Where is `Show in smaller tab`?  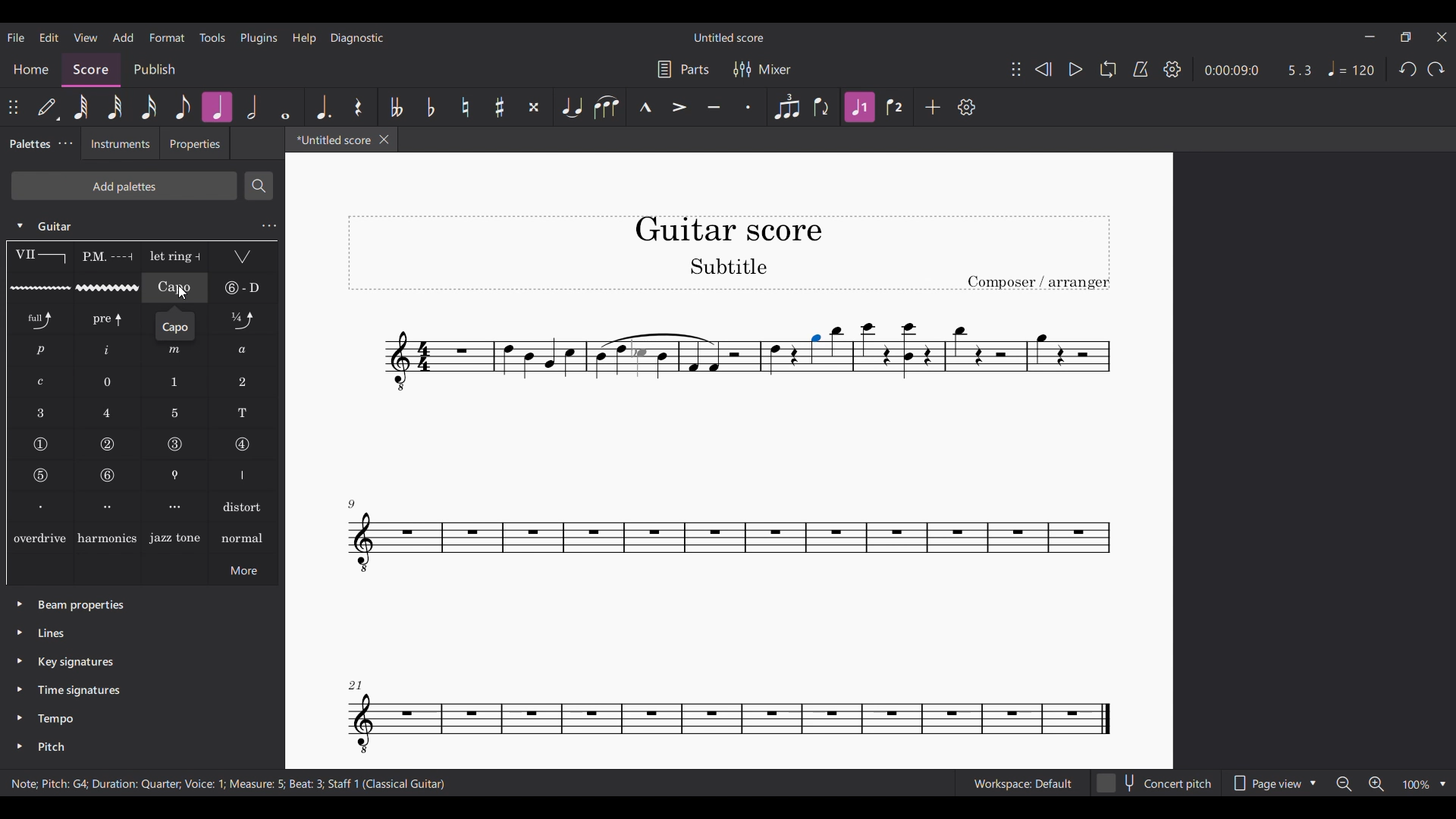 Show in smaller tab is located at coordinates (1406, 37).